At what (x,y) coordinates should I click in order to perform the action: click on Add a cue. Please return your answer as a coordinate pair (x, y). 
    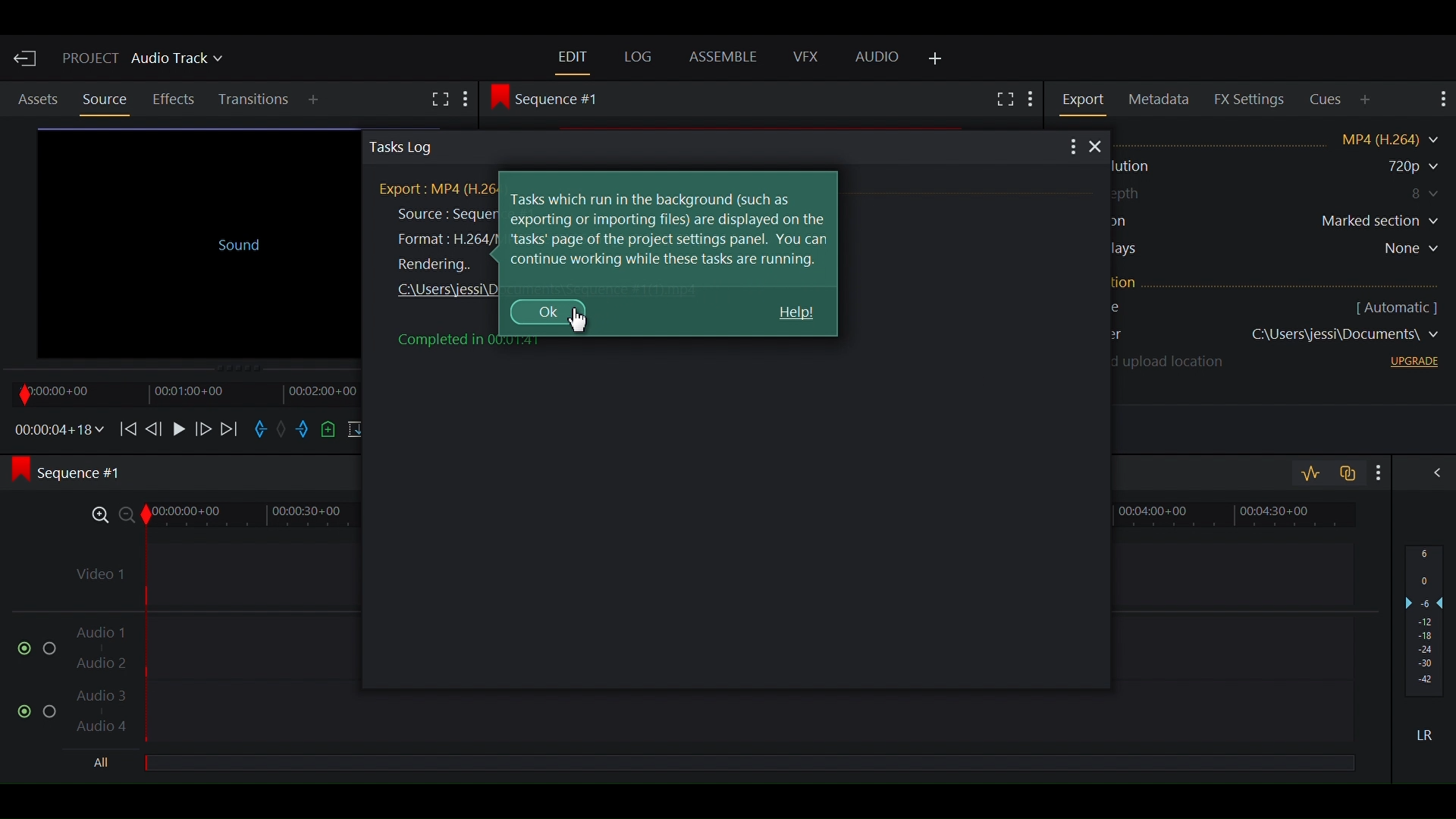
    Looking at the image, I should click on (330, 430).